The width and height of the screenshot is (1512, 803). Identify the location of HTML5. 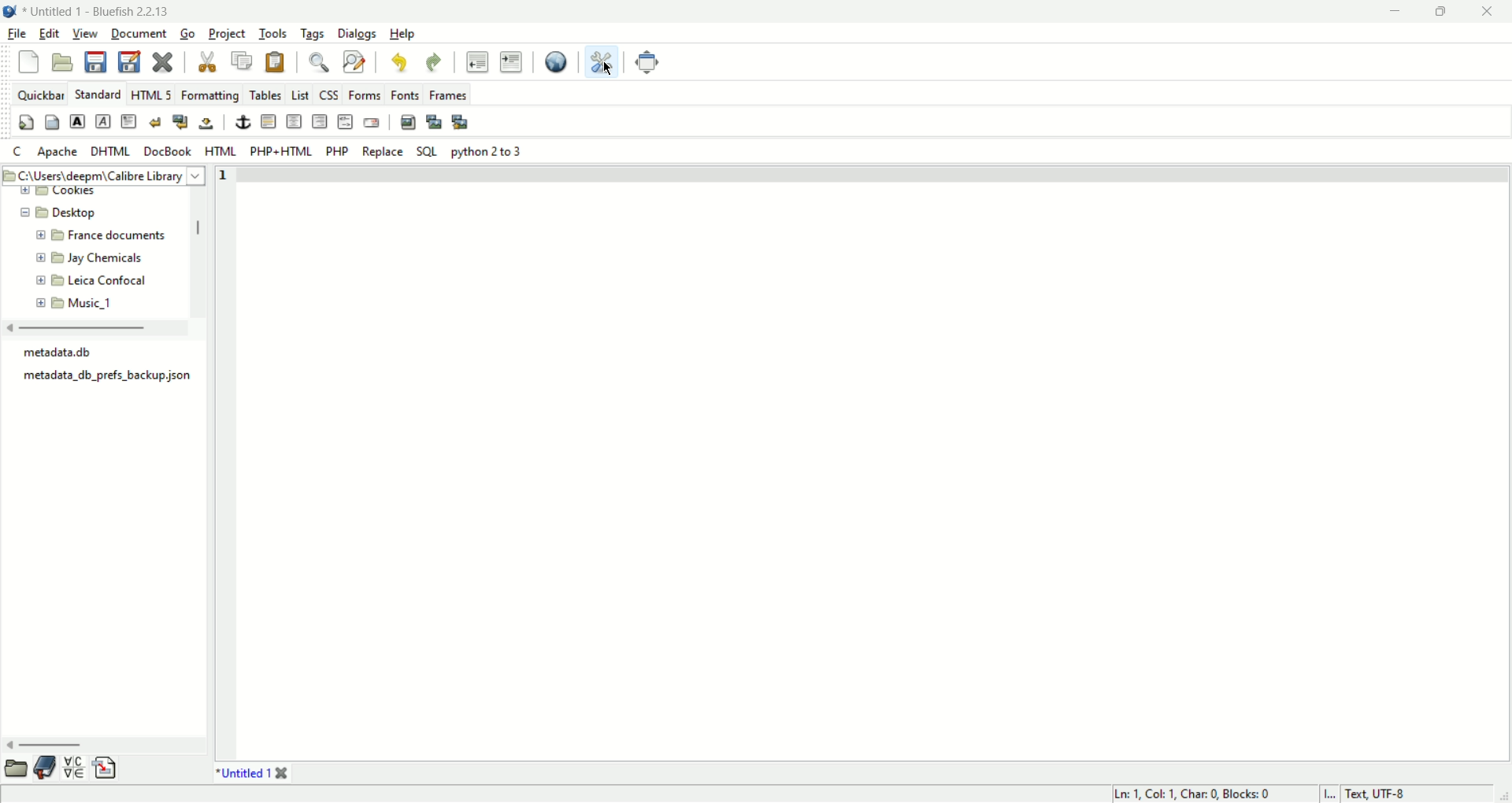
(153, 94).